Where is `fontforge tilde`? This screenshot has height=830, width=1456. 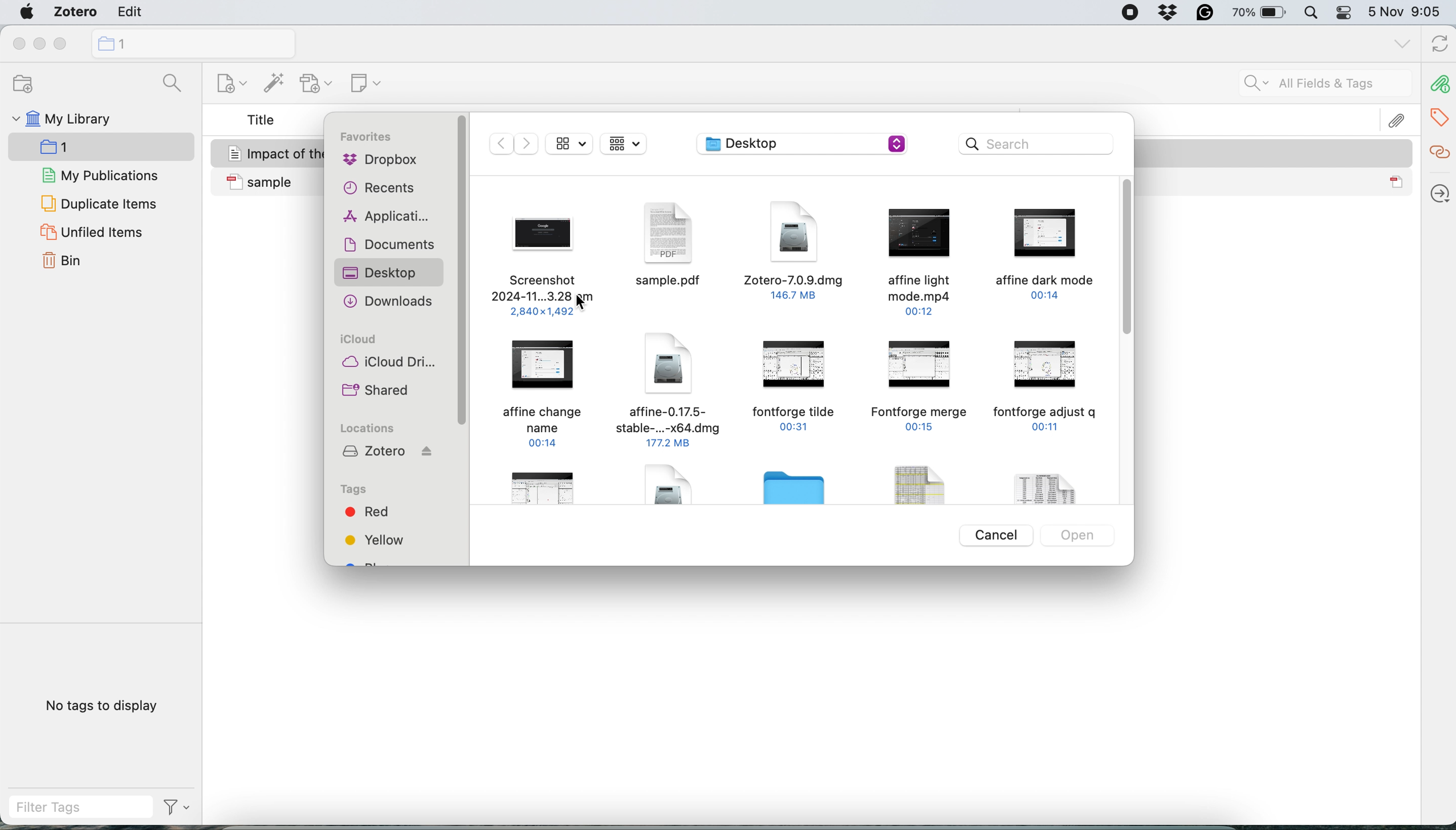 fontforge tilde is located at coordinates (795, 392).